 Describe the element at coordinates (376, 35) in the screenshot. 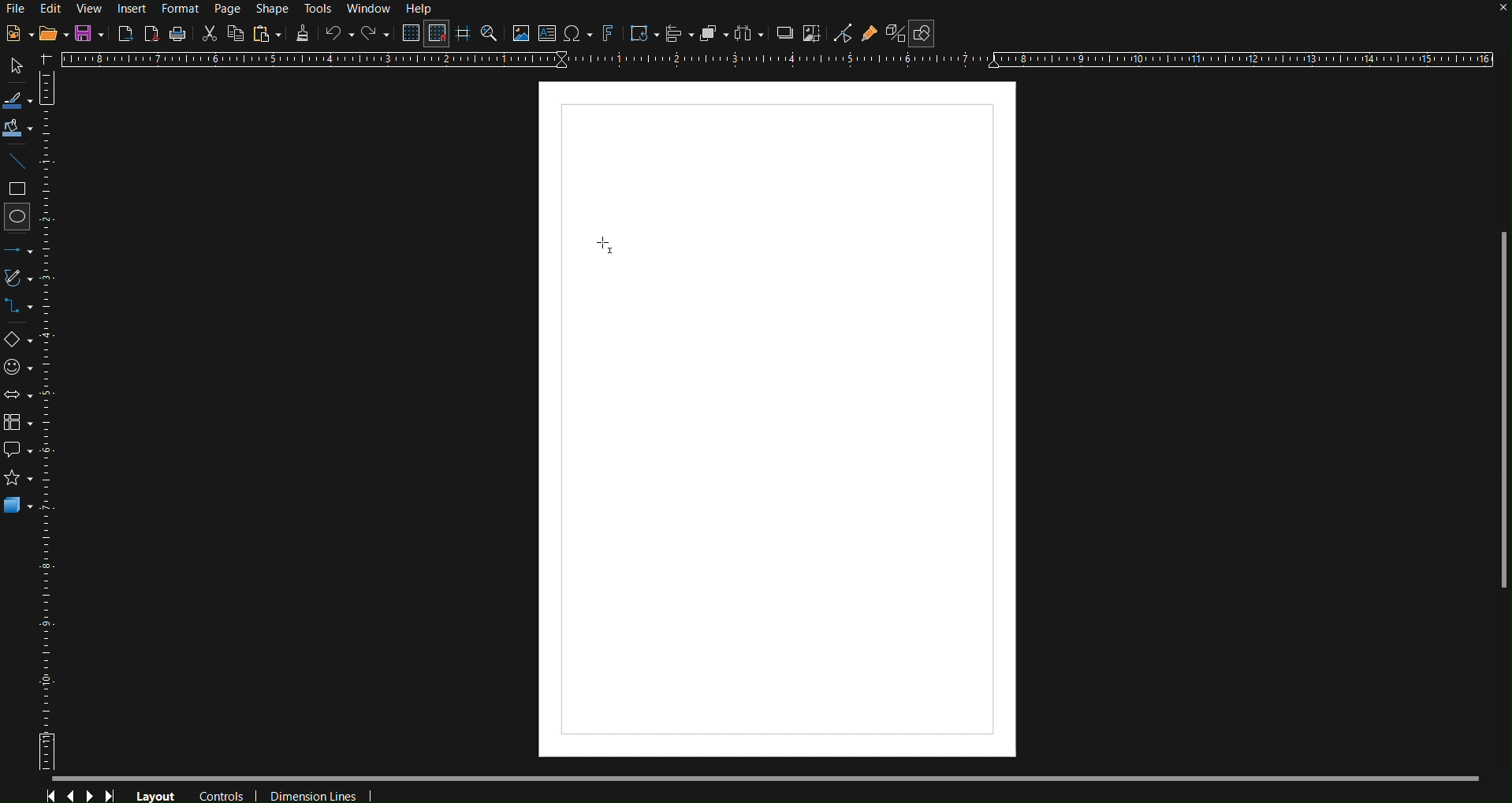

I see `Redo` at that location.